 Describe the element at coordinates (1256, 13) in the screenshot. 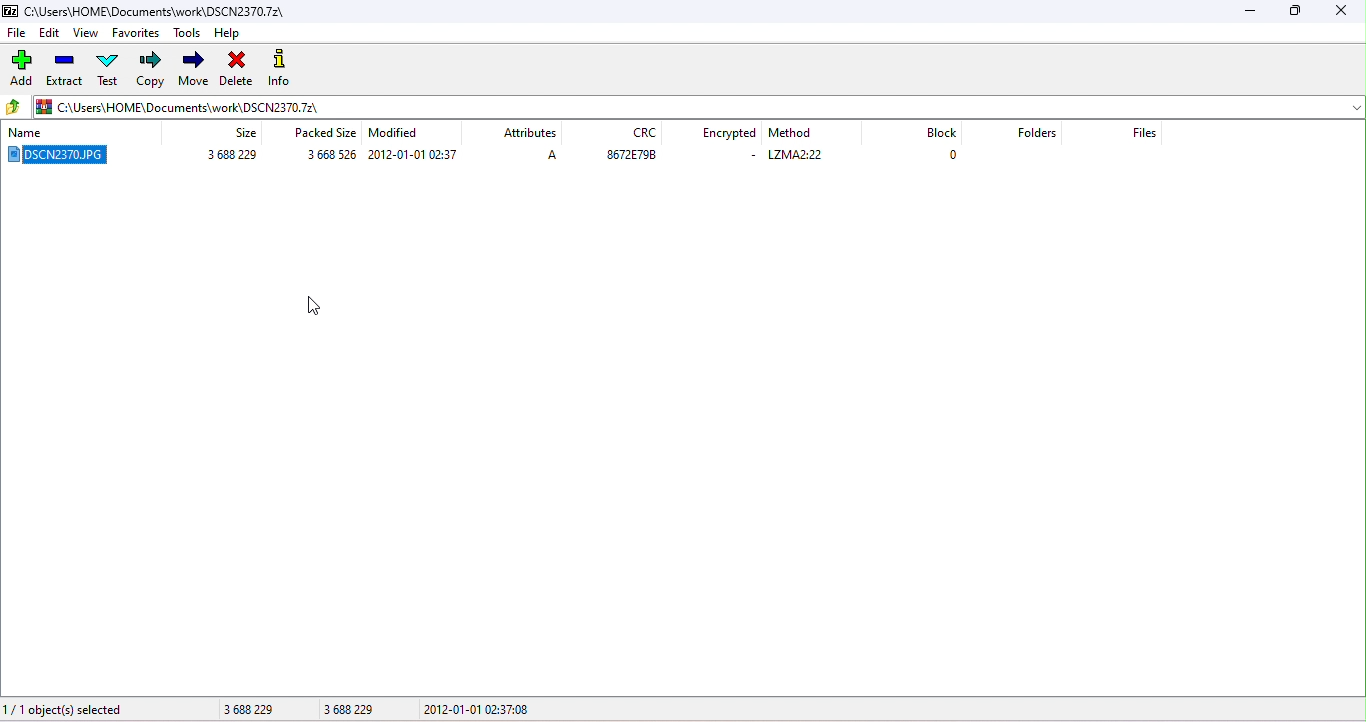

I see `minimize` at that location.